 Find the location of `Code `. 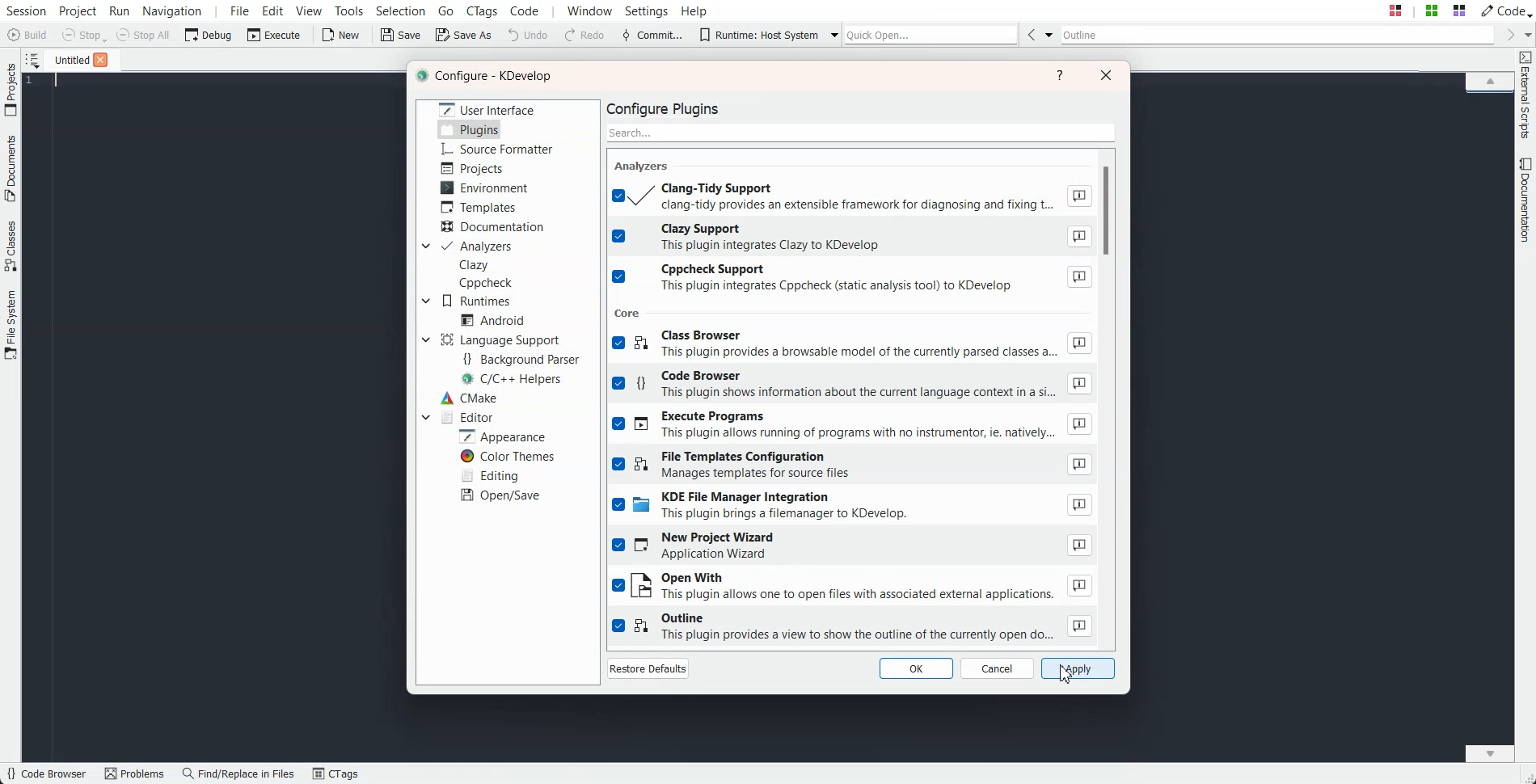

Code  is located at coordinates (1504, 10).